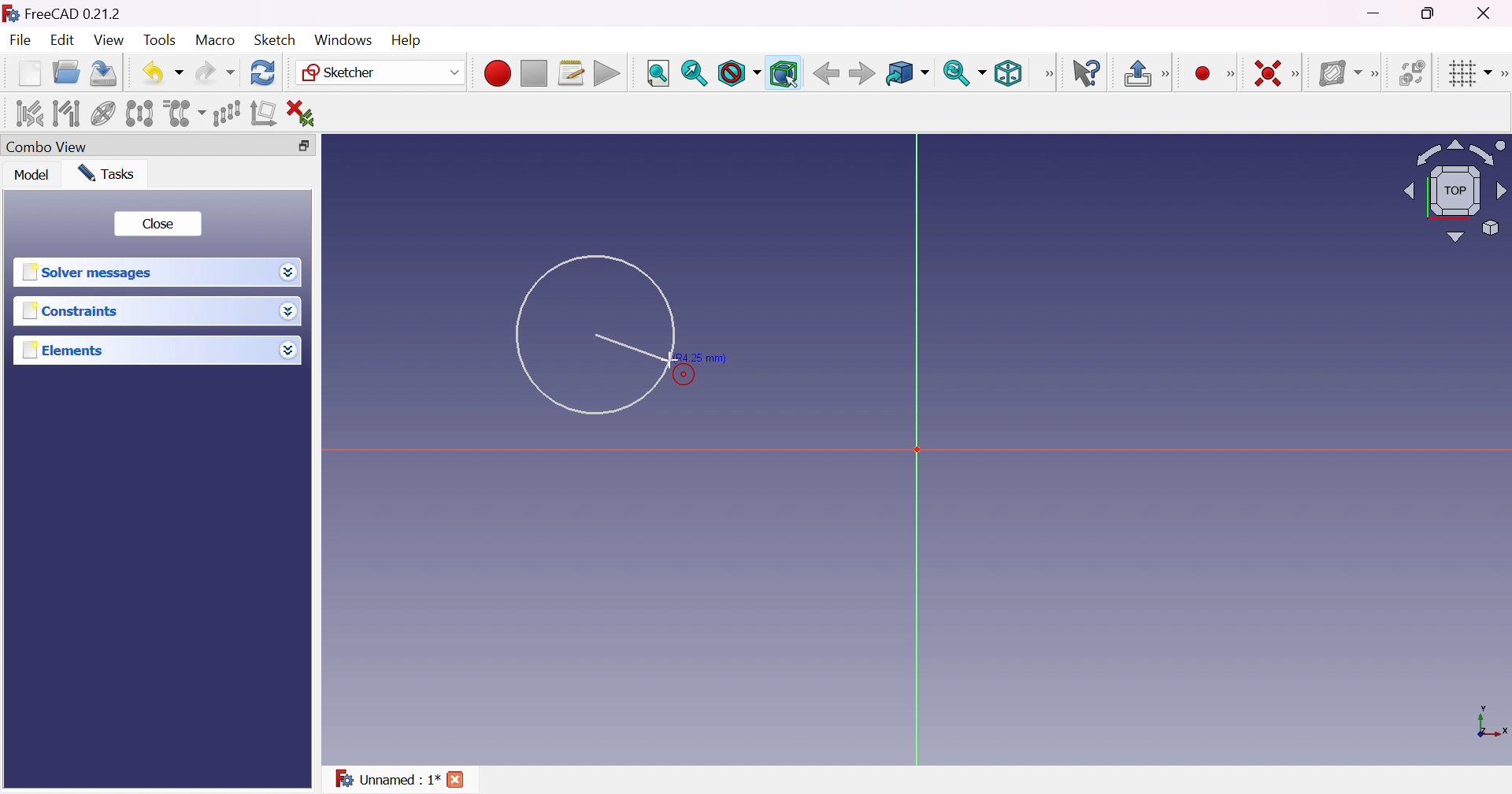 The width and height of the screenshot is (1512, 794). I want to click on Save, so click(102, 72).